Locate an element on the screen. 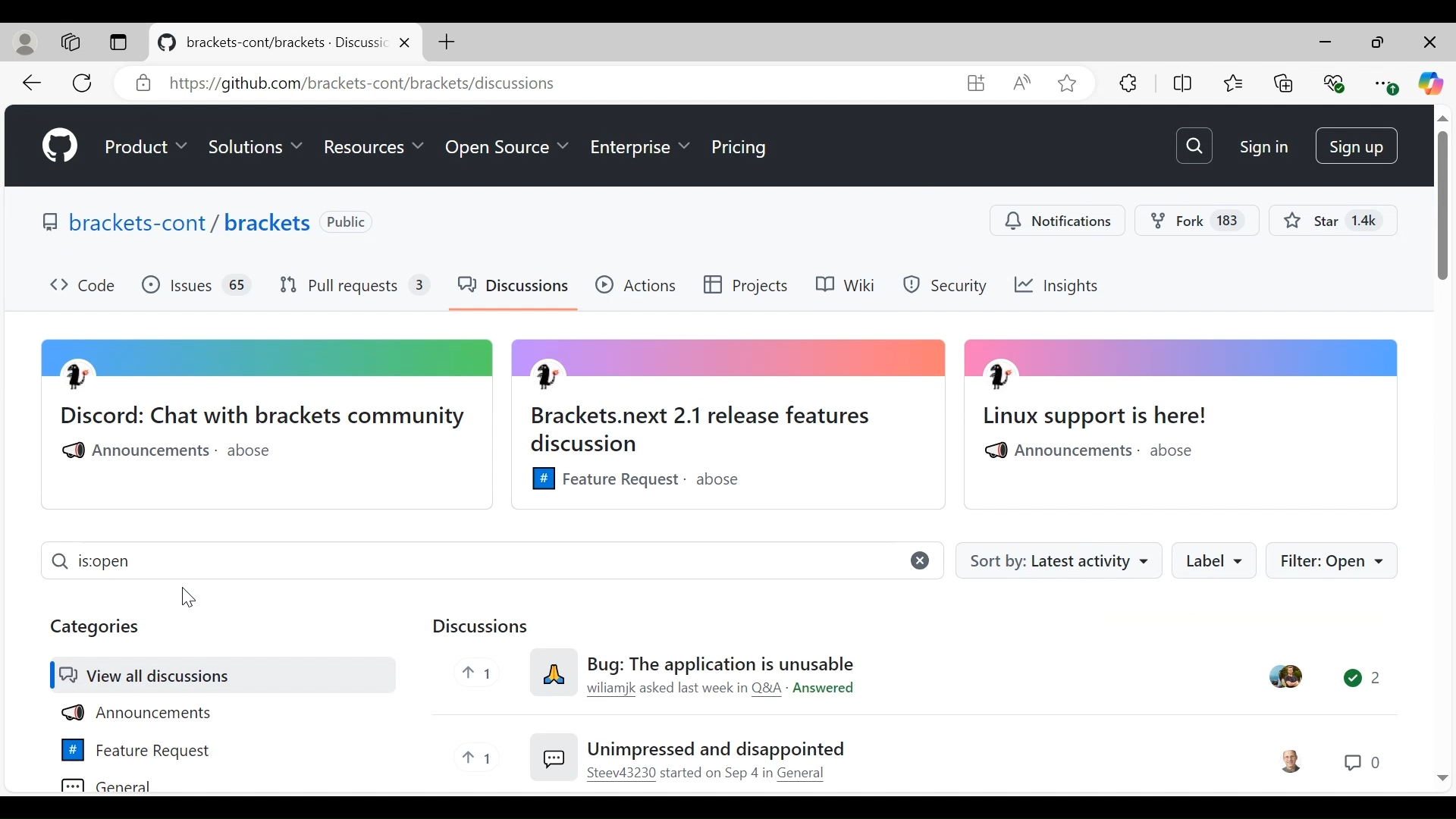 The image size is (1456, 819). Settings and more is located at coordinates (1385, 83).